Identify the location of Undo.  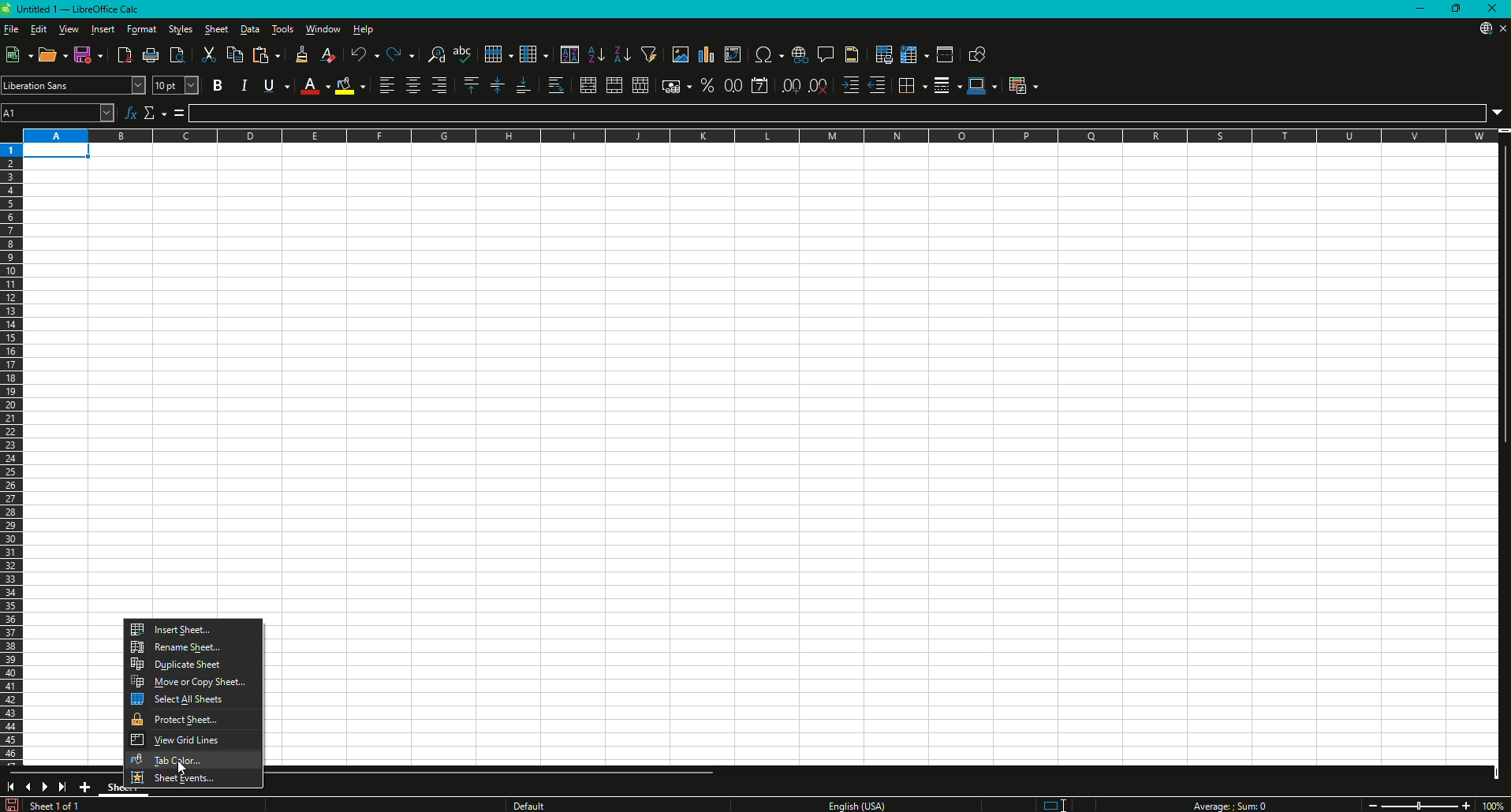
(365, 54).